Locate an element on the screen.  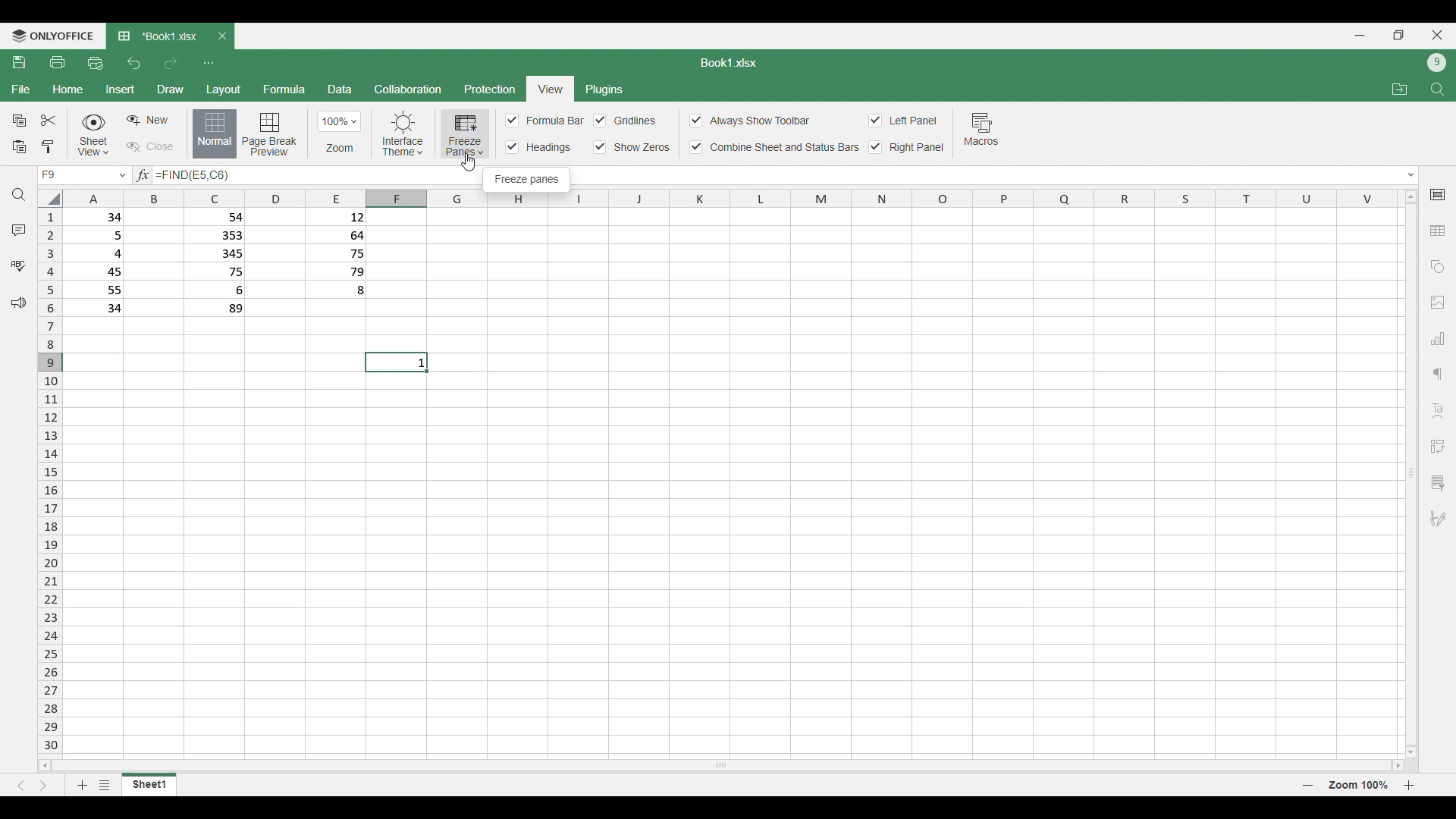
Current sheet is located at coordinates (150, 785).